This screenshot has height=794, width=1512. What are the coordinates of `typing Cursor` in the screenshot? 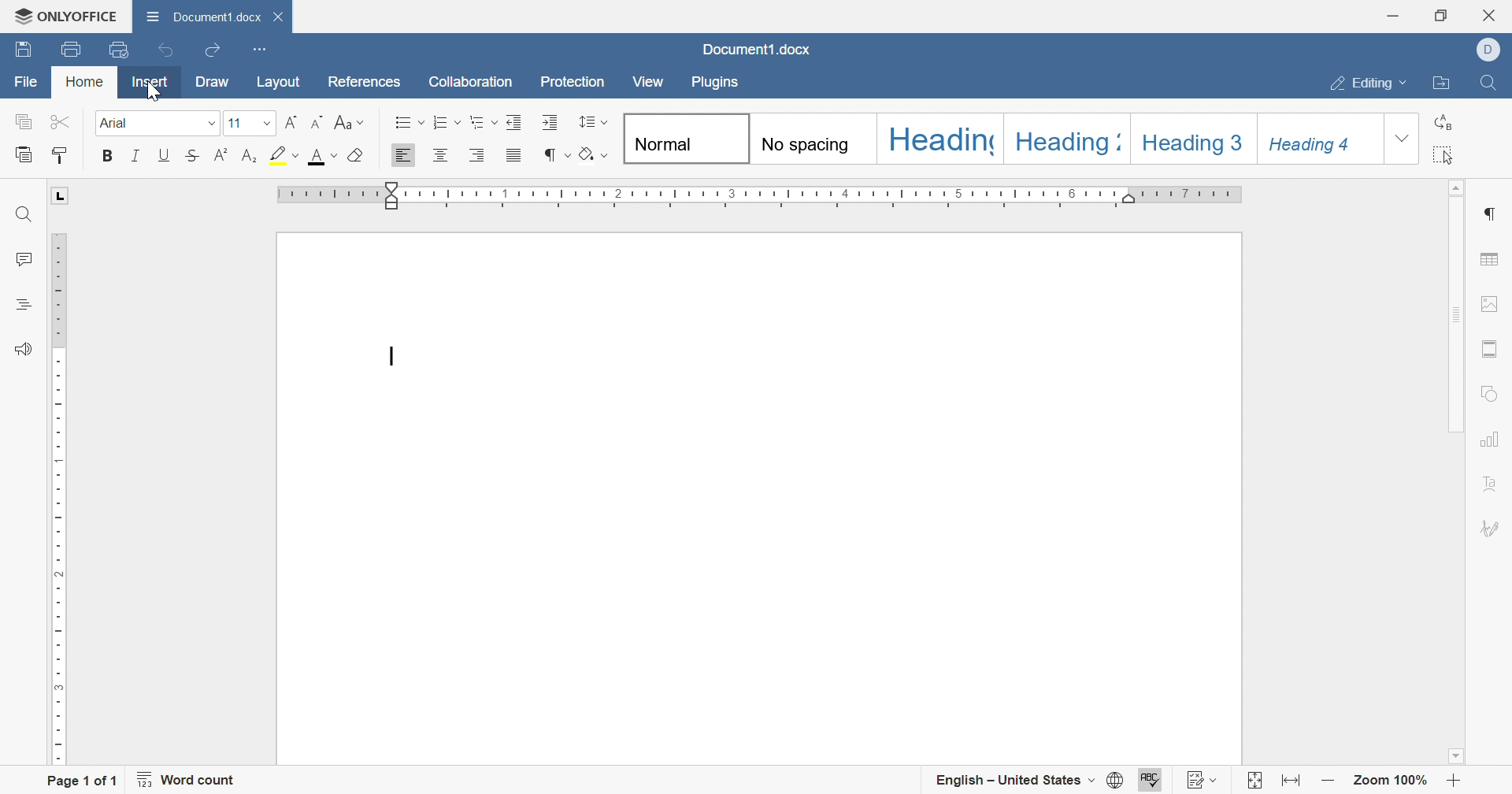 It's located at (395, 355).